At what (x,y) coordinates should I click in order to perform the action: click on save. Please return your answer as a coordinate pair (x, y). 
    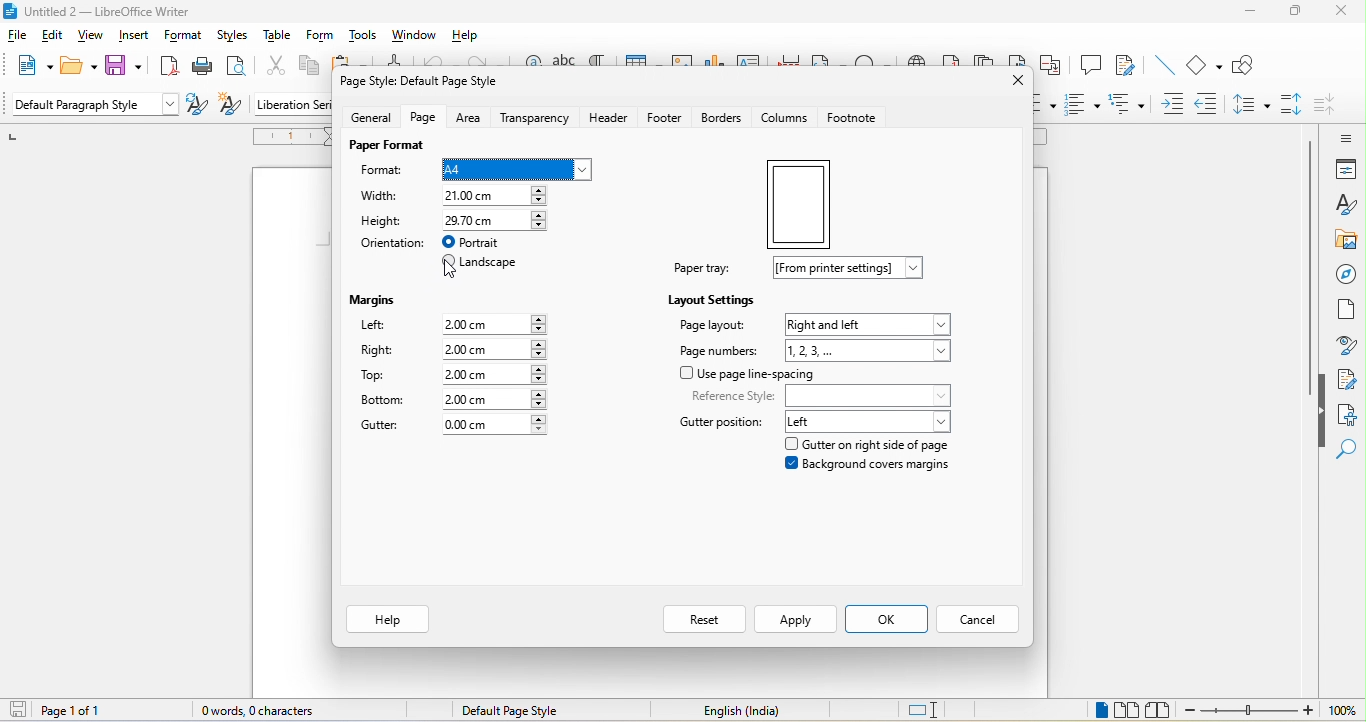
    Looking at the image, I should click on (123, 66).